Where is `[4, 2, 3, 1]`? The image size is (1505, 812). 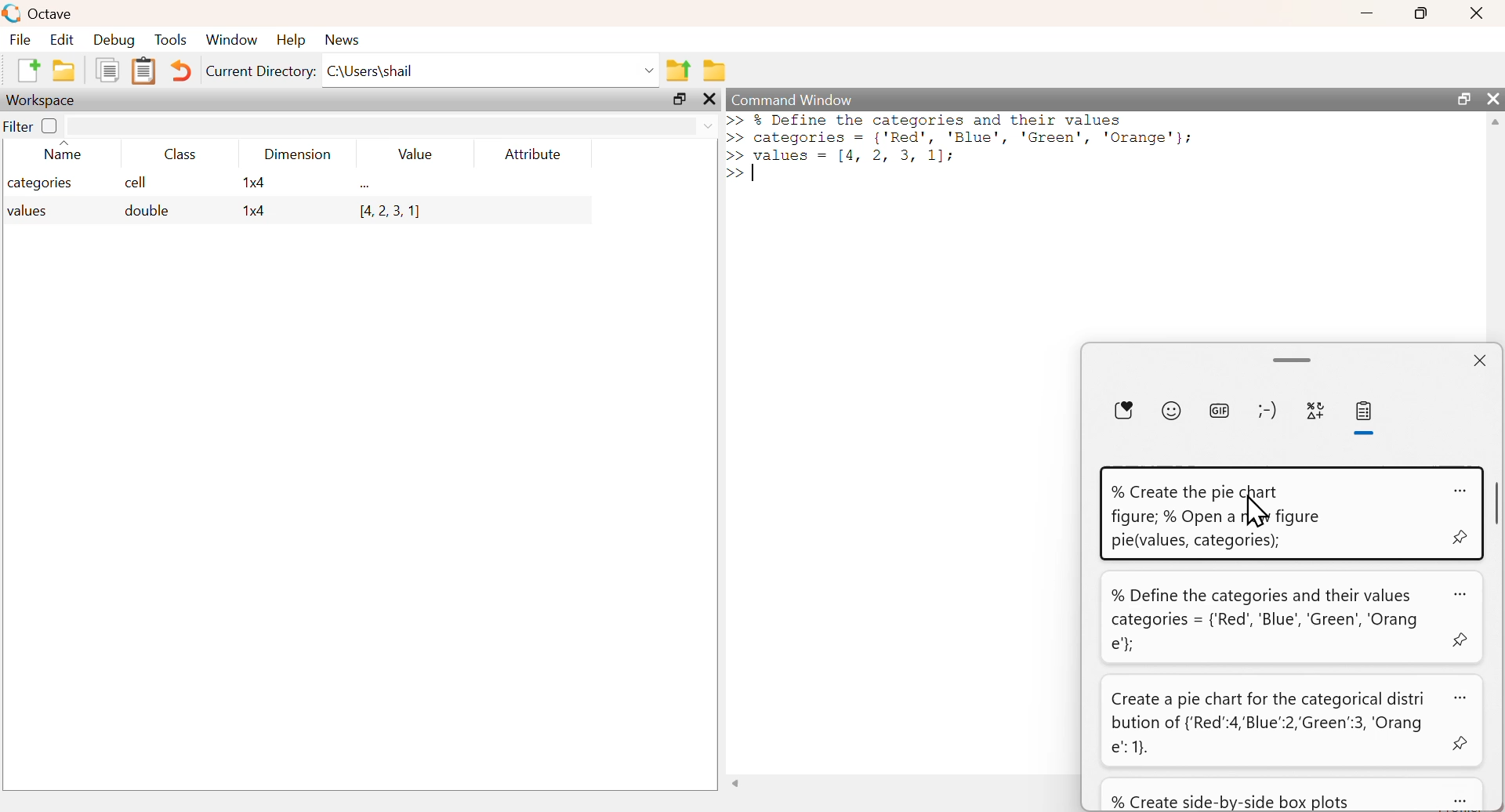
[4, 2, 3, 1] is located at coordinates (389, 212).